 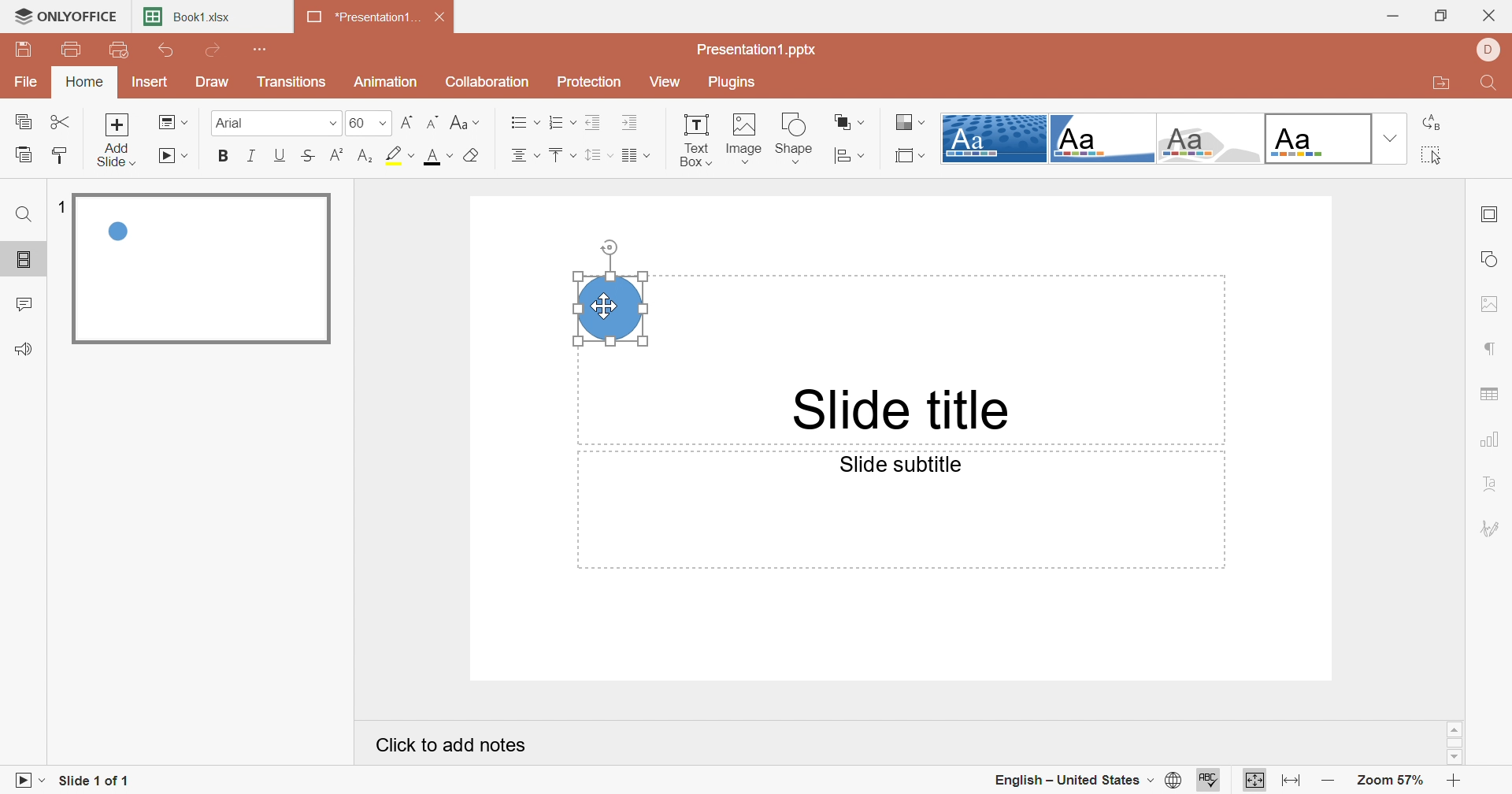 What do you see at coordinates (65, 13) in the screenshot?
I see `ONLYOFFICE` at bounding box center [65, 13].